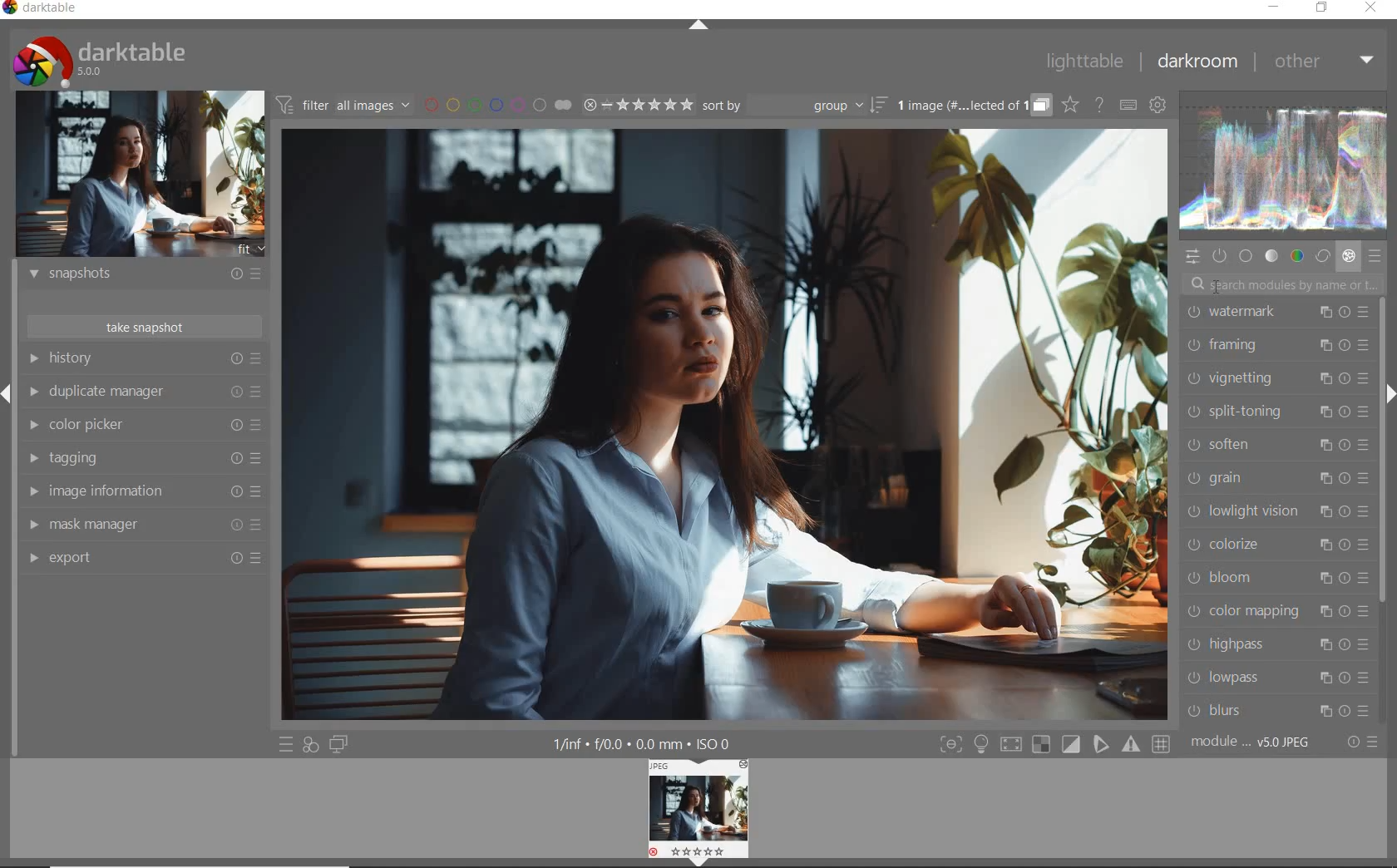 This screenshot has width=1397, height=868. Describe the element at coordinates (1192, 257) in the screenshot. I see `quick access panel` at that location.